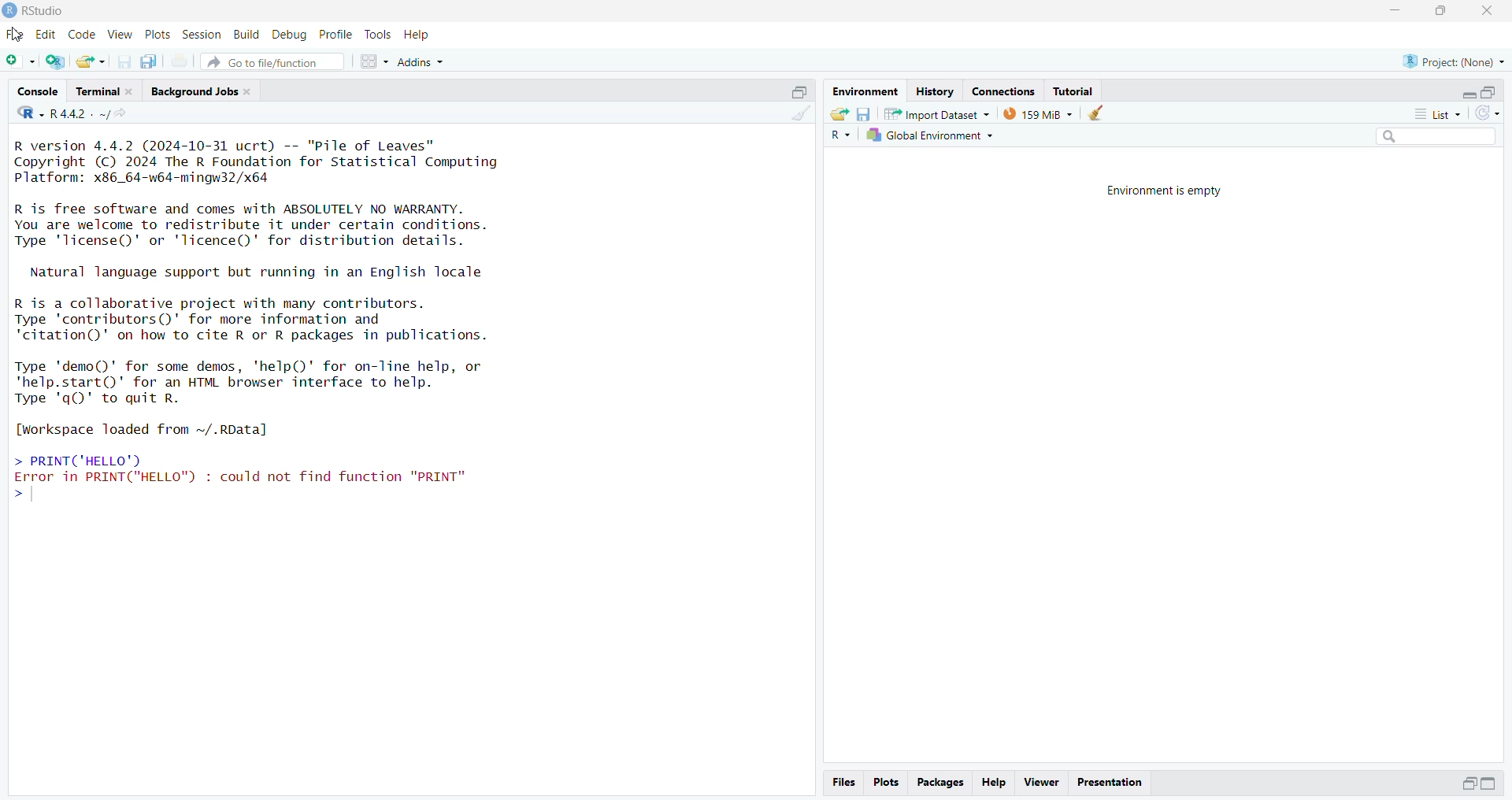  I want to click on go to file/function, so click(272, 61).